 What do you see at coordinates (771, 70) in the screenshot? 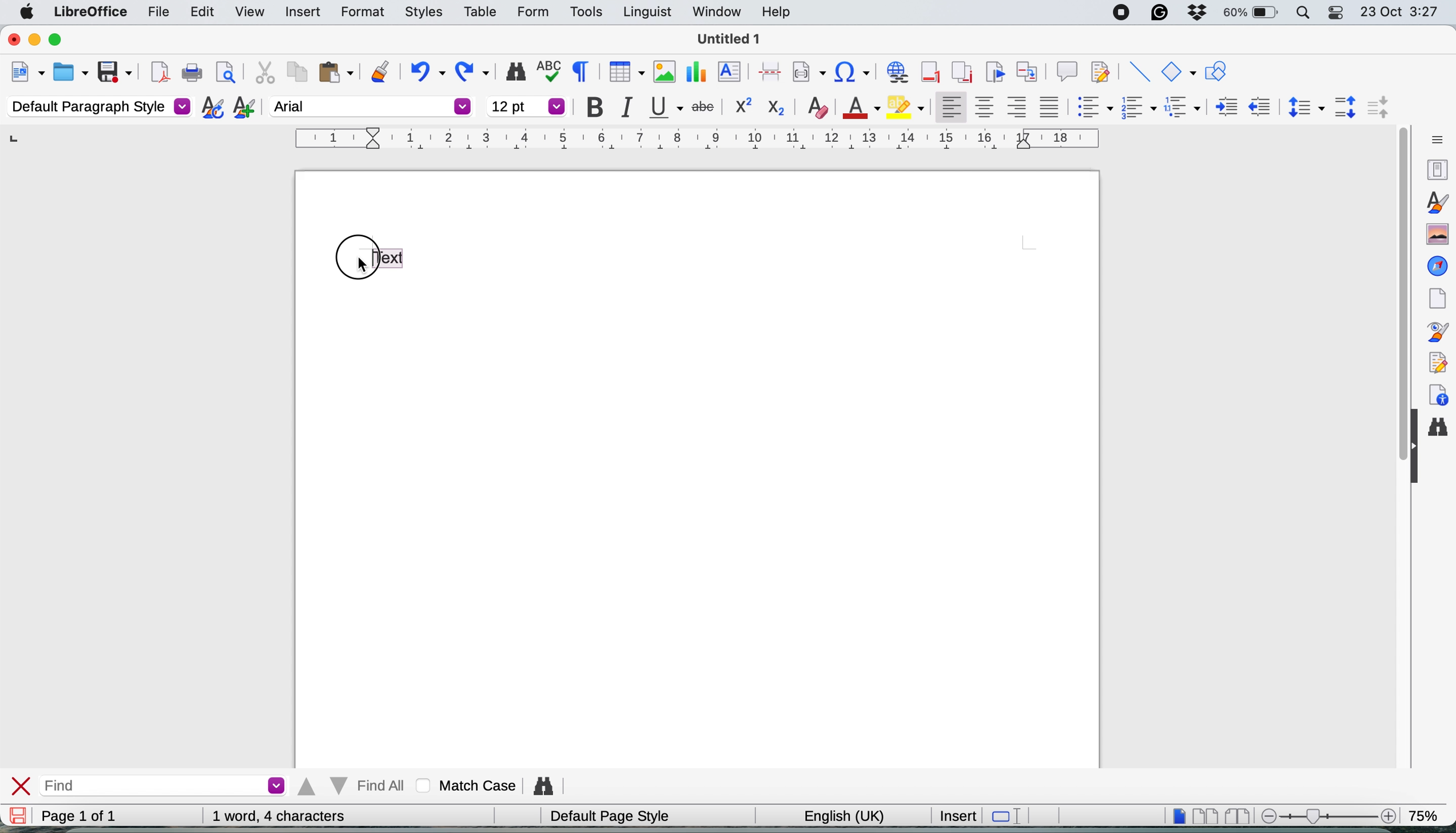
I see `page break` at bounding box center [771, 70].